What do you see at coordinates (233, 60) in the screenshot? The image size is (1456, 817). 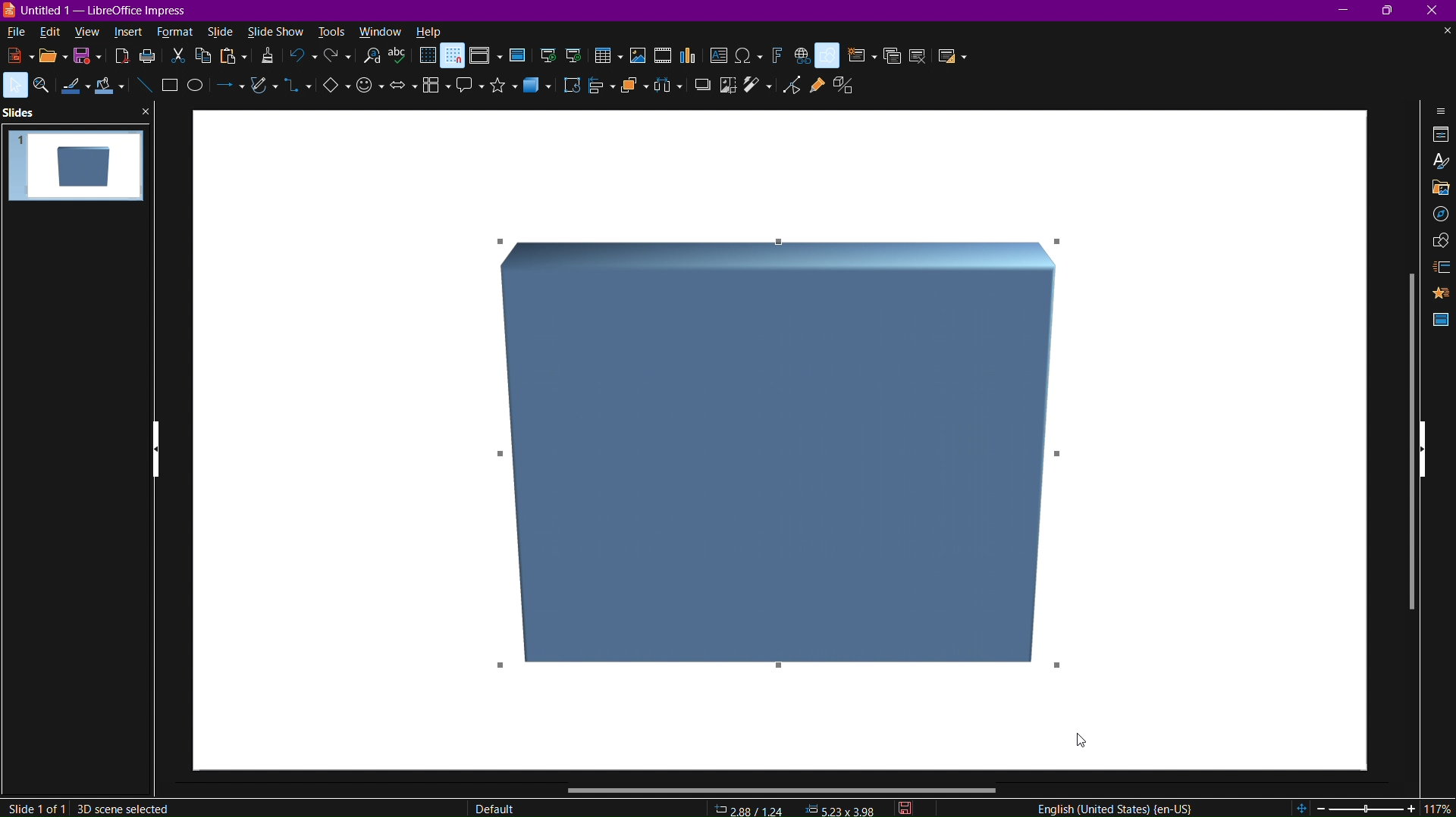 I see `Paste` at bounding box center [233, 60].